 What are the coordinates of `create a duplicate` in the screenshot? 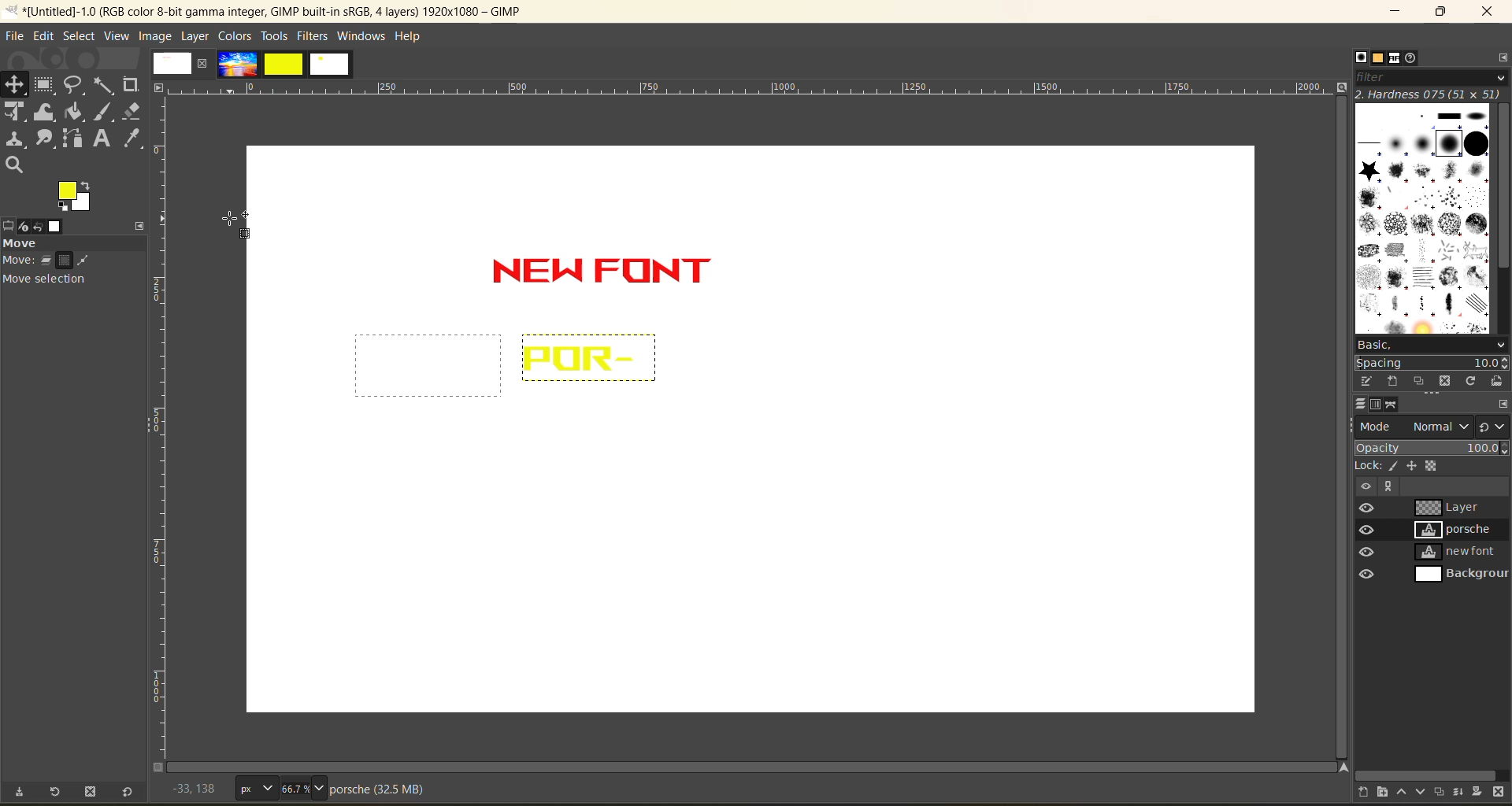 It's located at (1440, 791).